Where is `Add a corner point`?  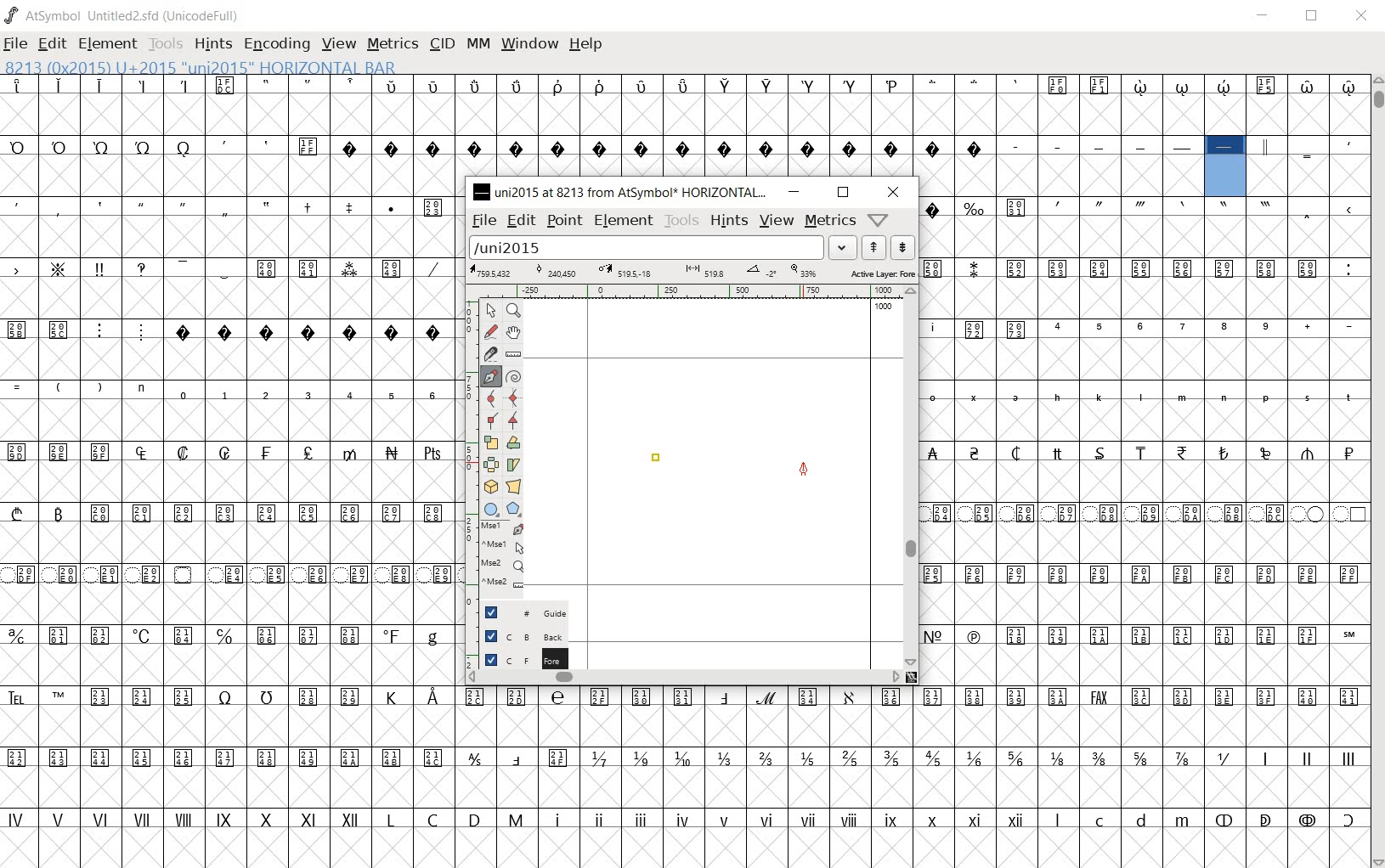 Add a corner point is located at coordinates (512, 420).